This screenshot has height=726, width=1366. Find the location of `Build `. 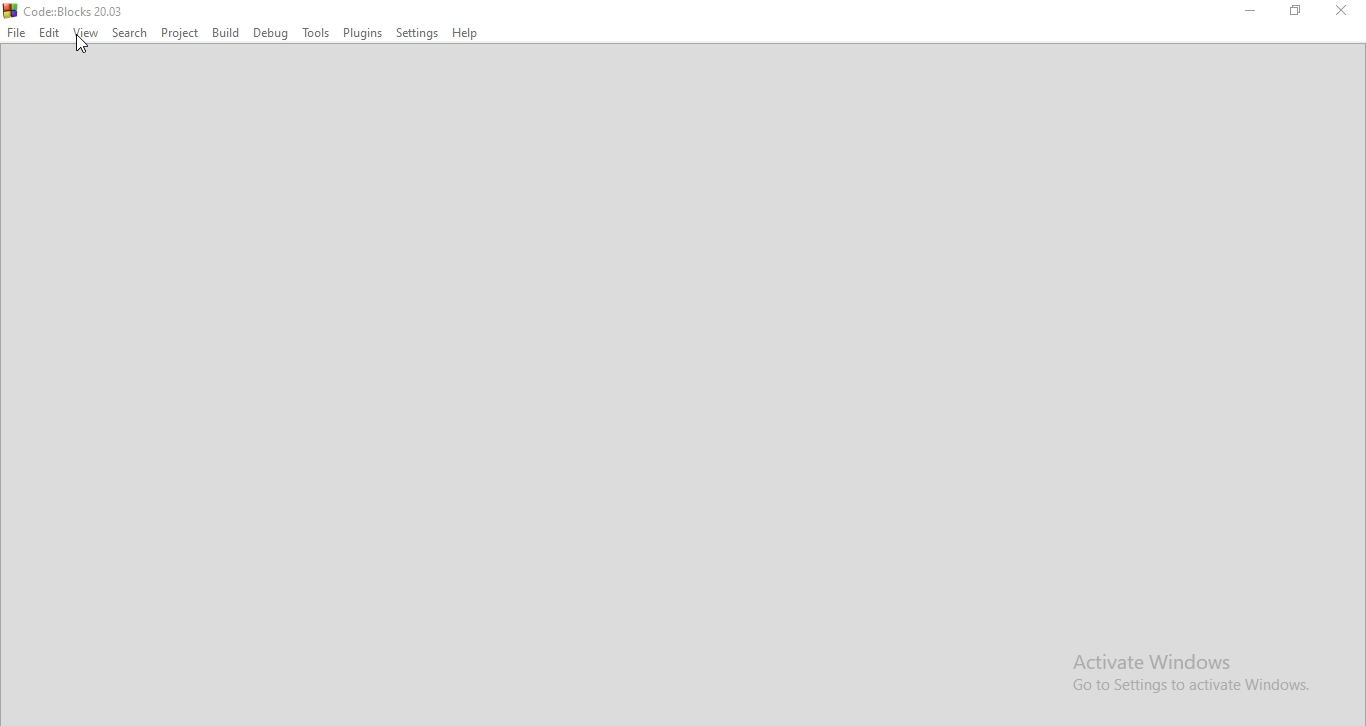

Build  is located at coordinates (227, 33).